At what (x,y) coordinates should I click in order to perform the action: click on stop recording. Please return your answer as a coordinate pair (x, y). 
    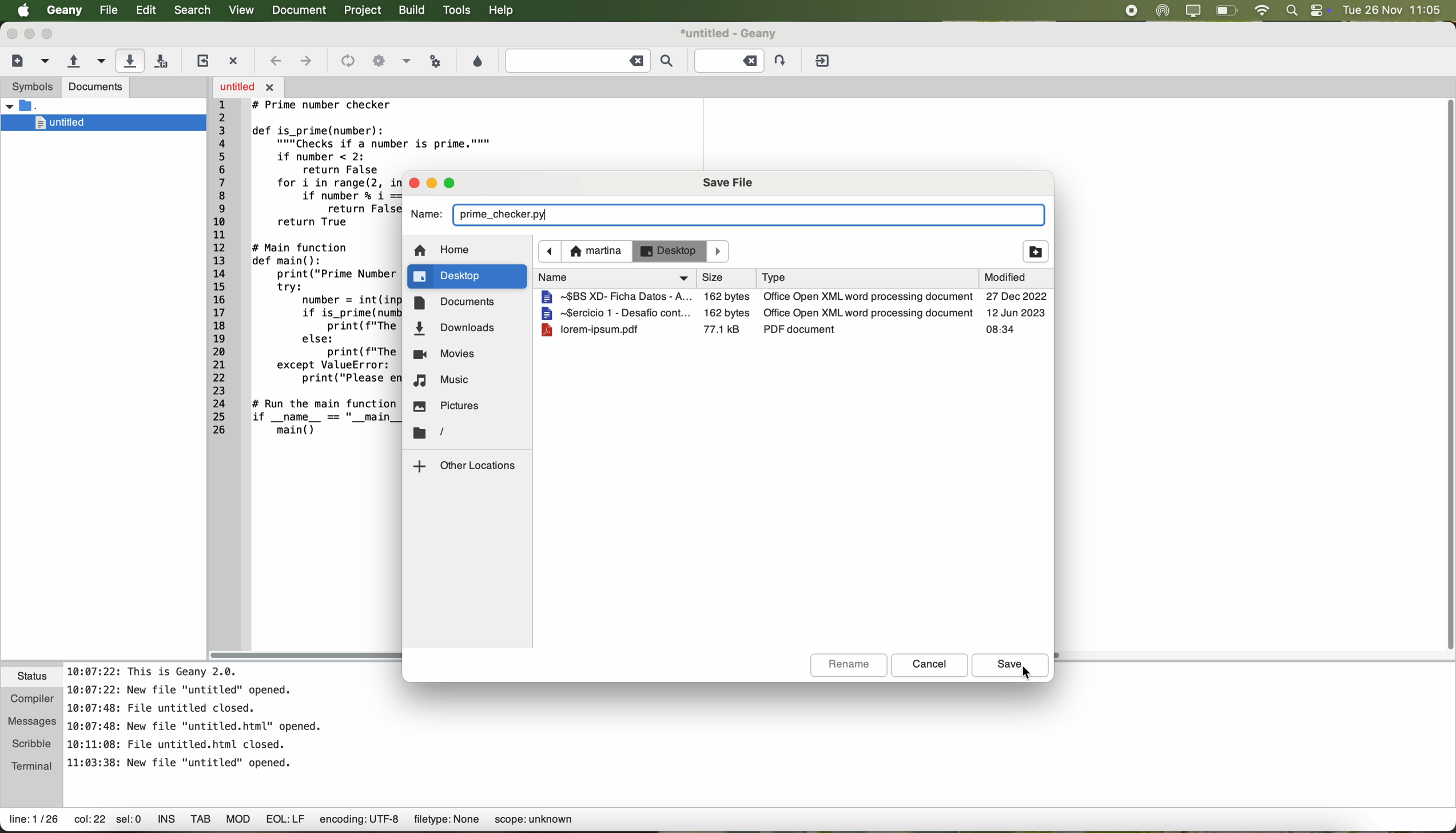
    Looking at the image, I should click on (1131, 10).